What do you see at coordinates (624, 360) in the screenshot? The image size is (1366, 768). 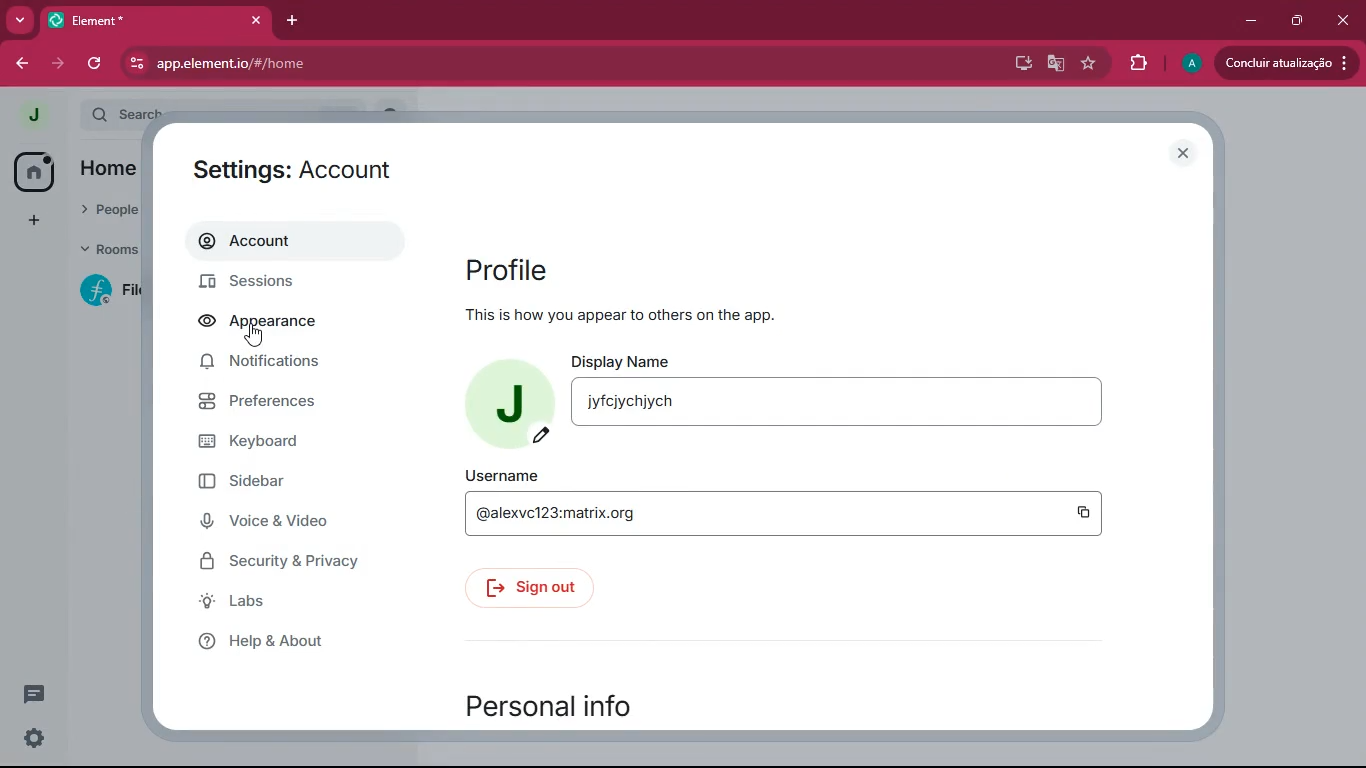 I see `Display Name` at bounding box center [624, 360].